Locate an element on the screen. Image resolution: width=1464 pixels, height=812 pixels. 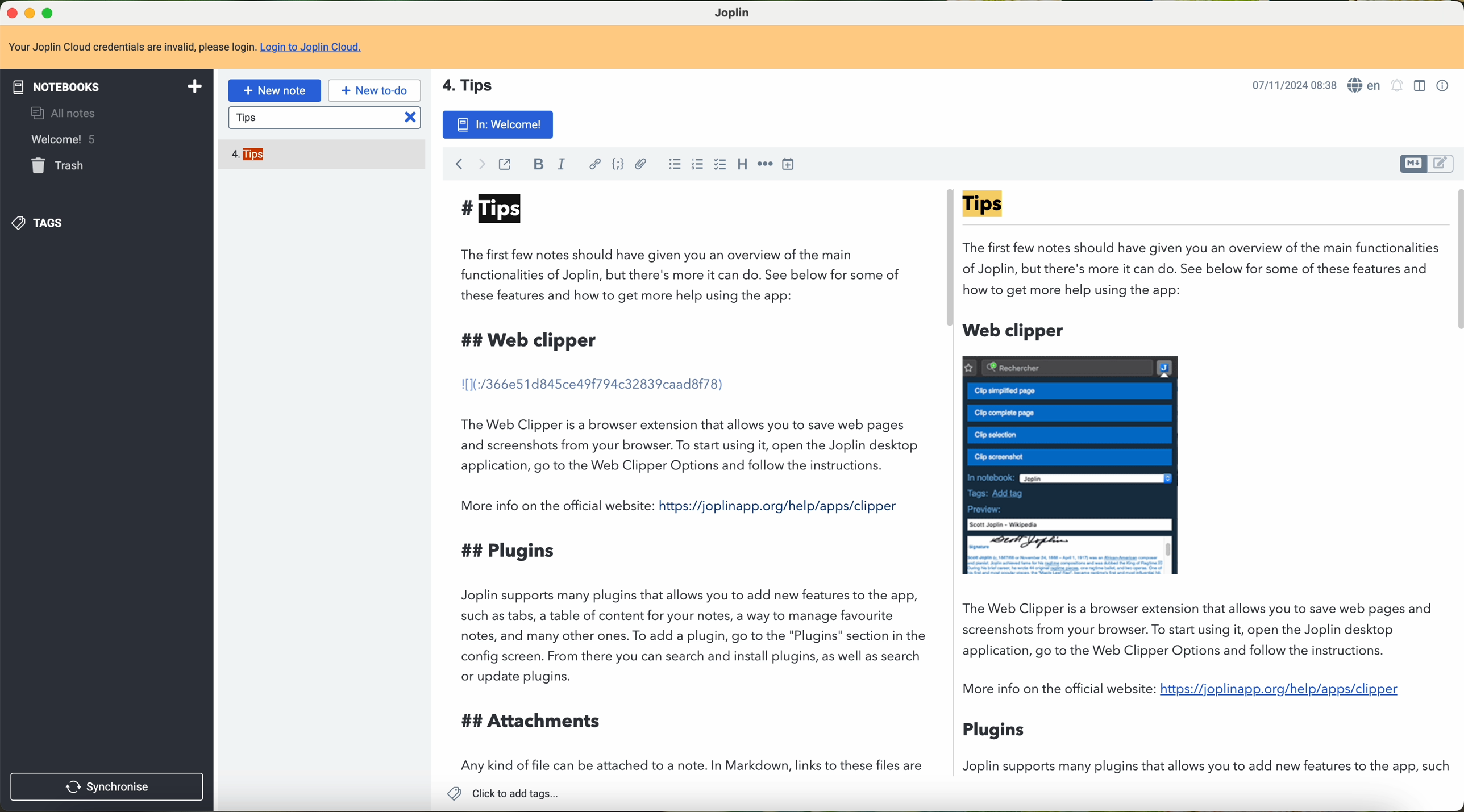
click to add tags... is located at coordinates (505, 793).